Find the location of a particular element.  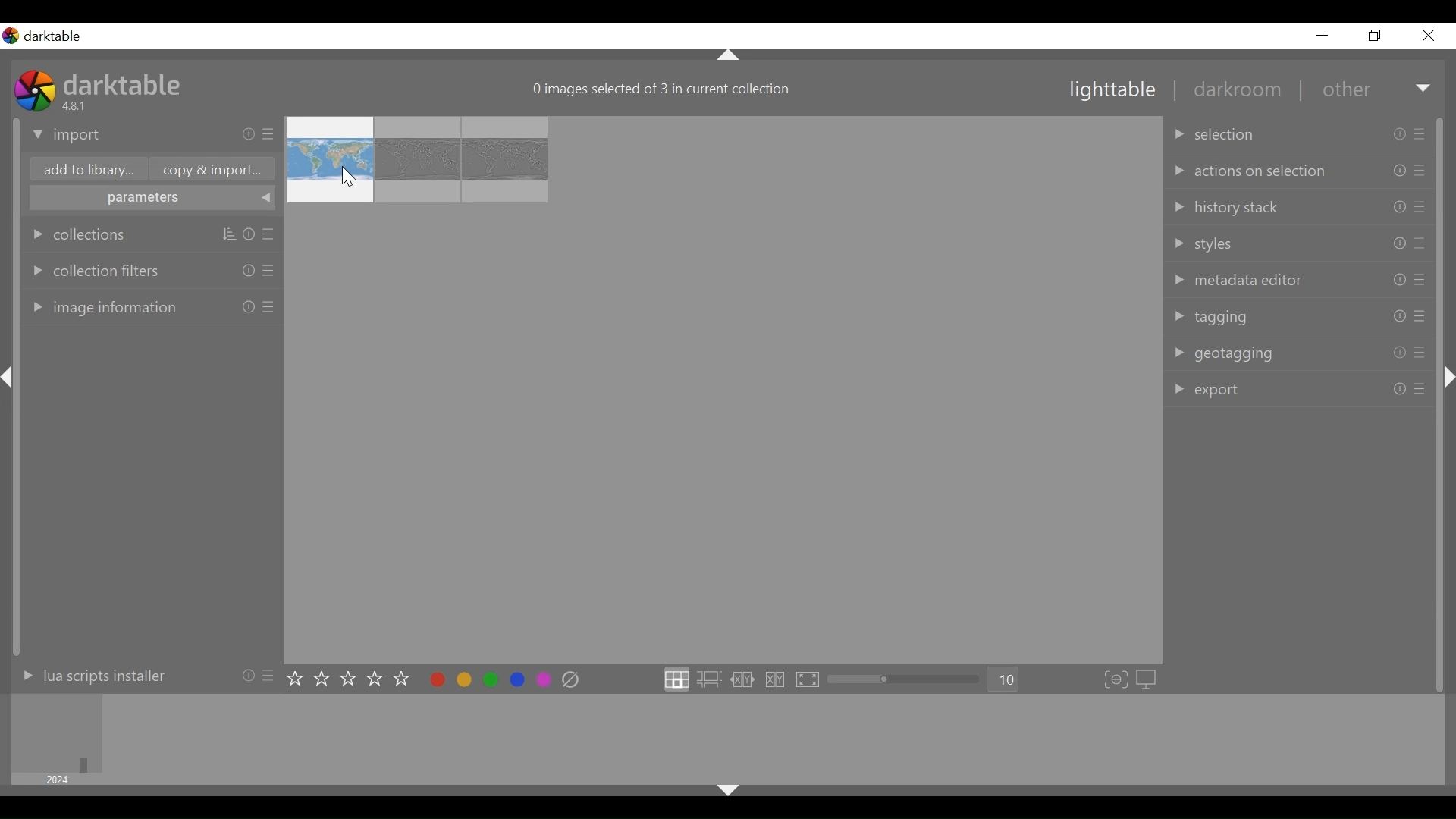

restore is located at coordinates (1378, 37).